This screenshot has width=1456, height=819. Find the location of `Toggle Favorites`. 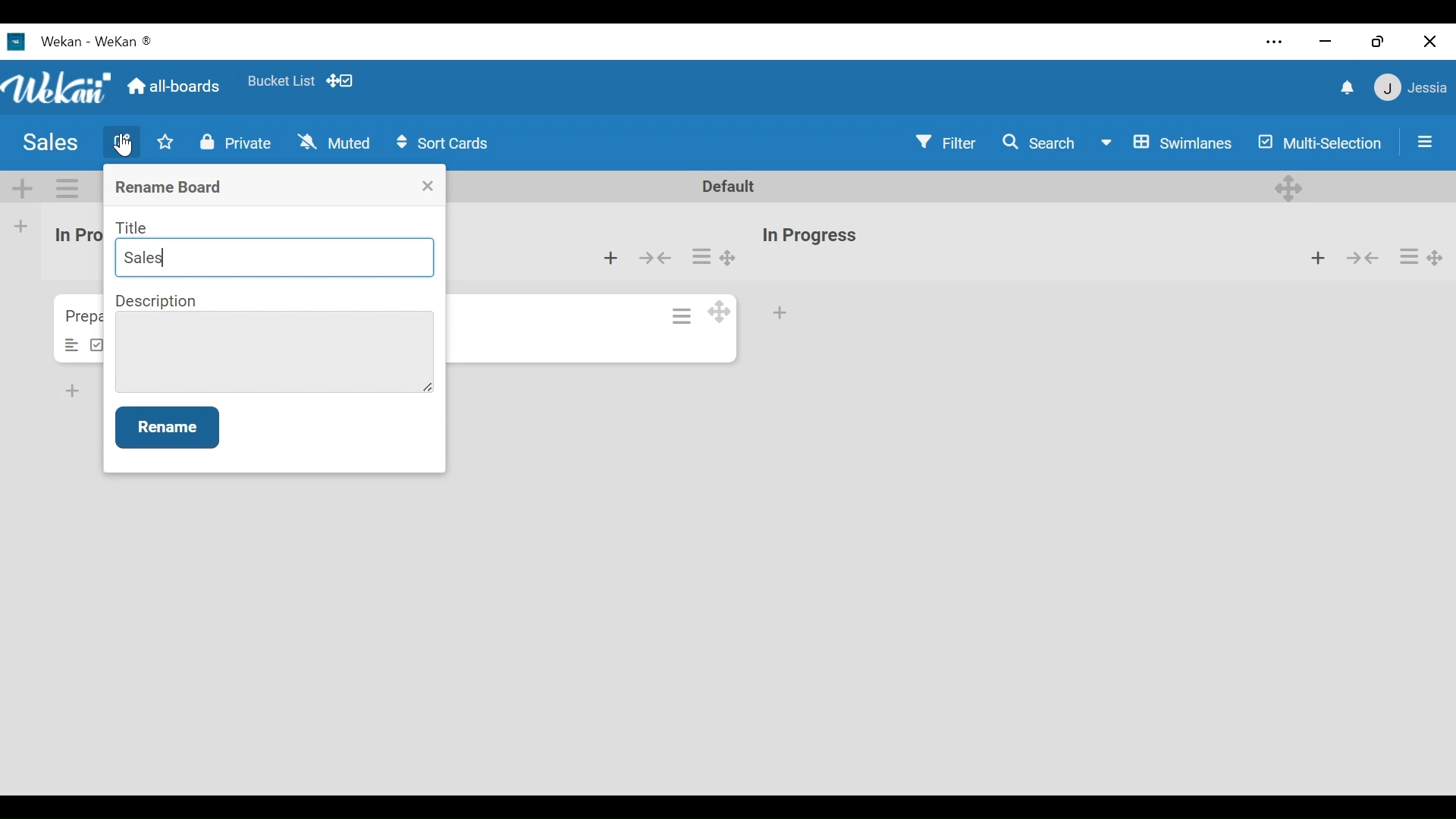

Toggle Favorites is located at coordinates (165, 142).